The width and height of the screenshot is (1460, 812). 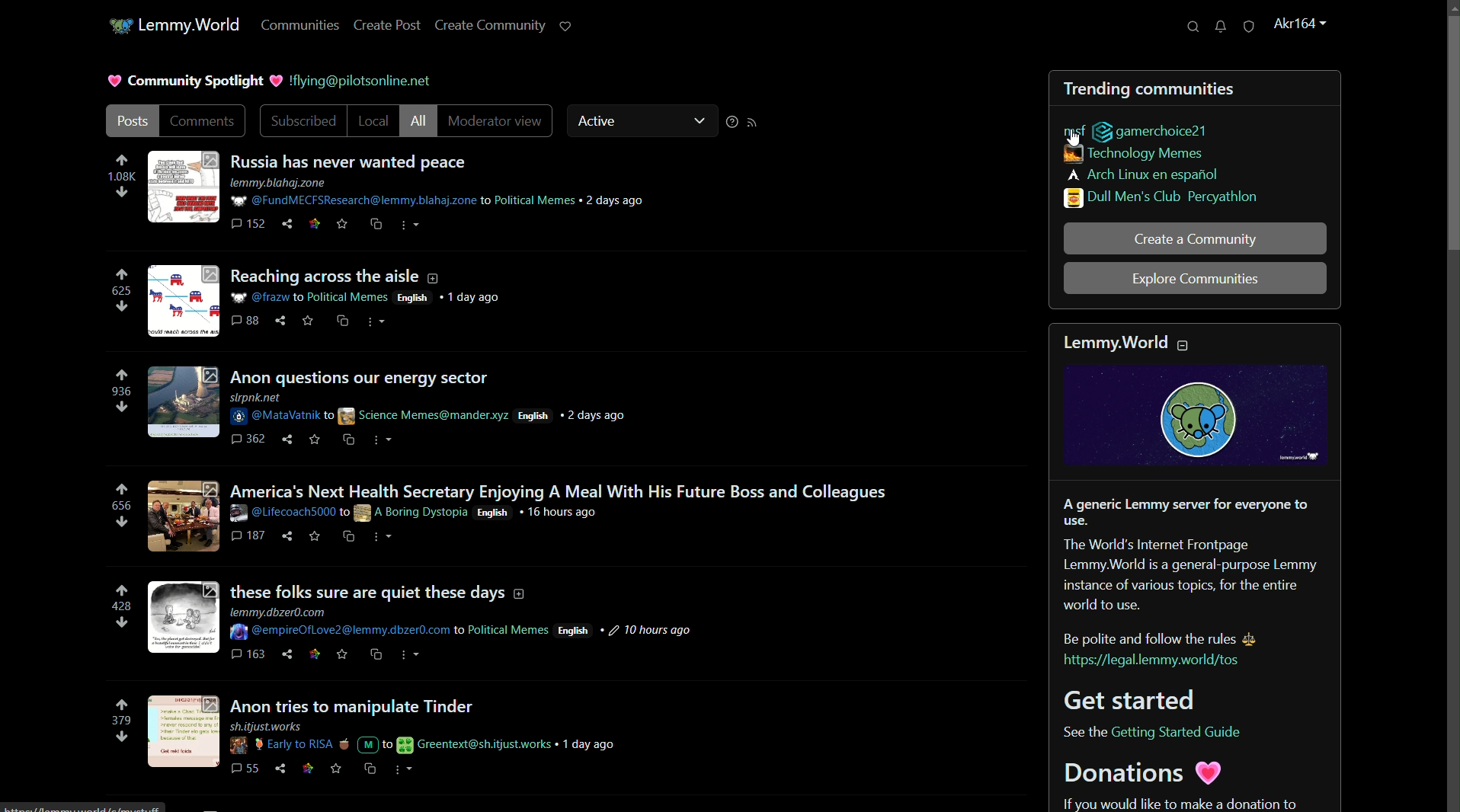 What do you see at coordinates (117, 507) in the screenshot?
I see `number of votes` at bounding box center [117, 507].